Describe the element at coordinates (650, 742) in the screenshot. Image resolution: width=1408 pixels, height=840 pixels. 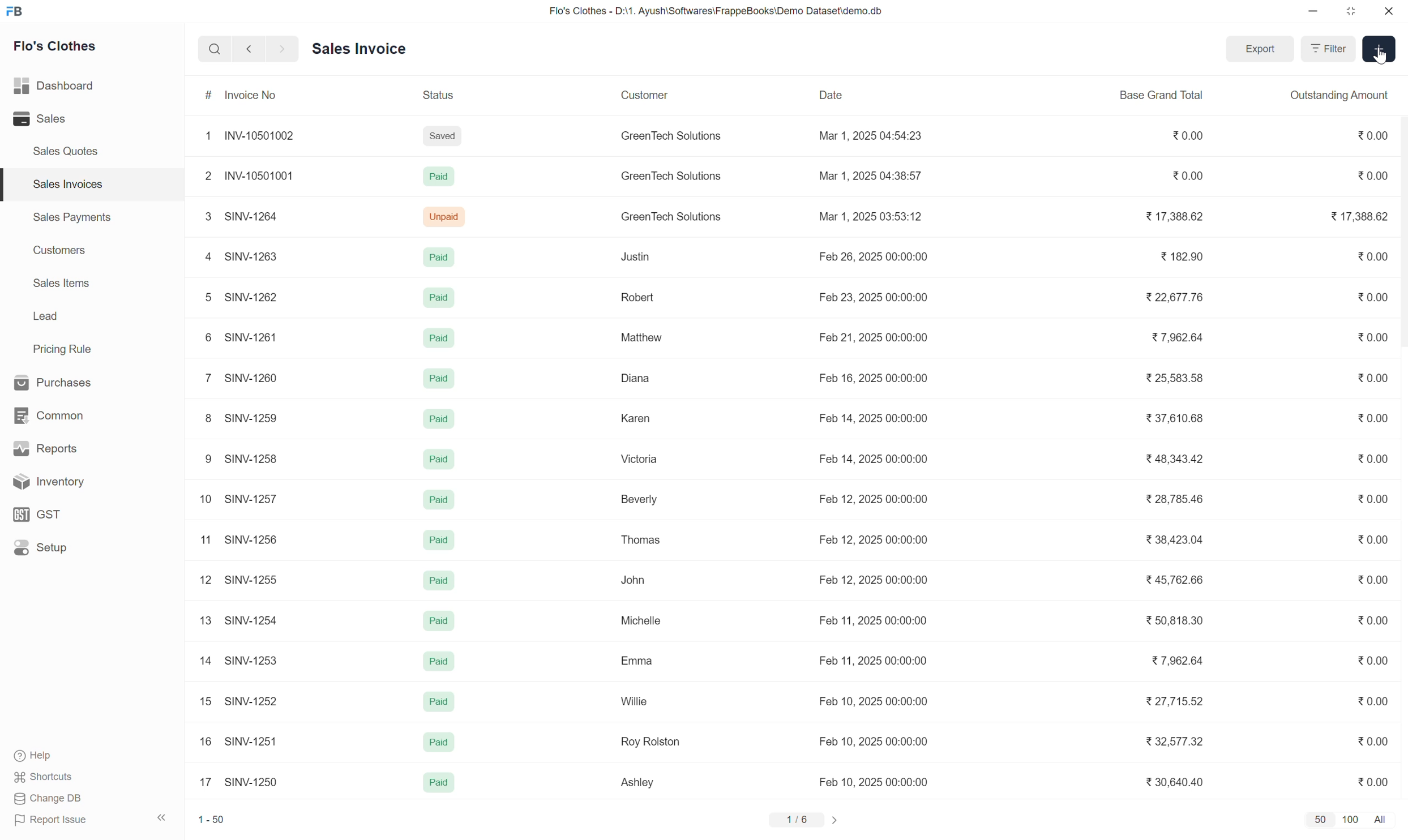
I see `Roy Rolston` at that location.